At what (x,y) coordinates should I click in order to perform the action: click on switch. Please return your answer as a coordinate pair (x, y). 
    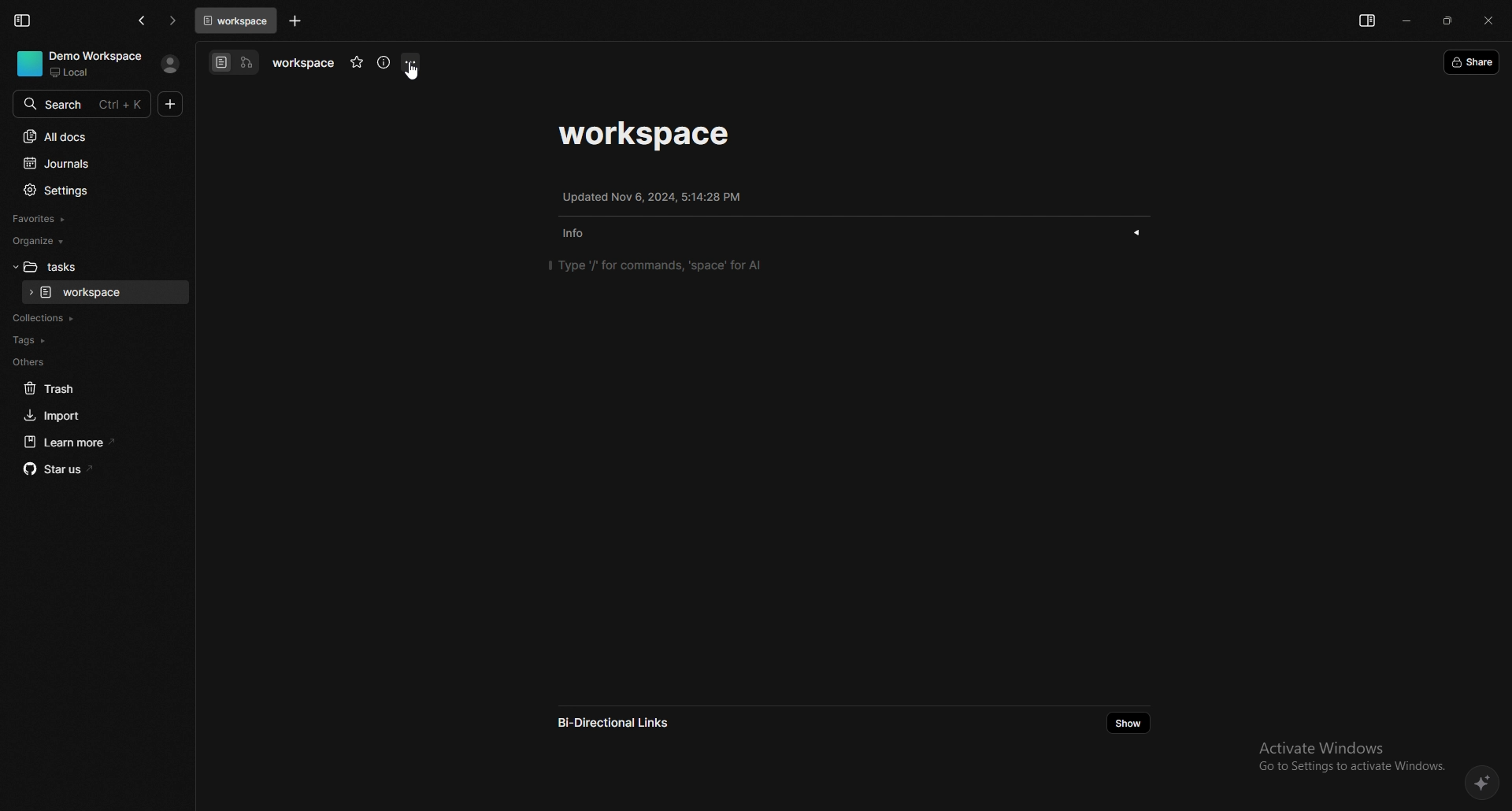
    Looking at the image, I should click on (235, 63).